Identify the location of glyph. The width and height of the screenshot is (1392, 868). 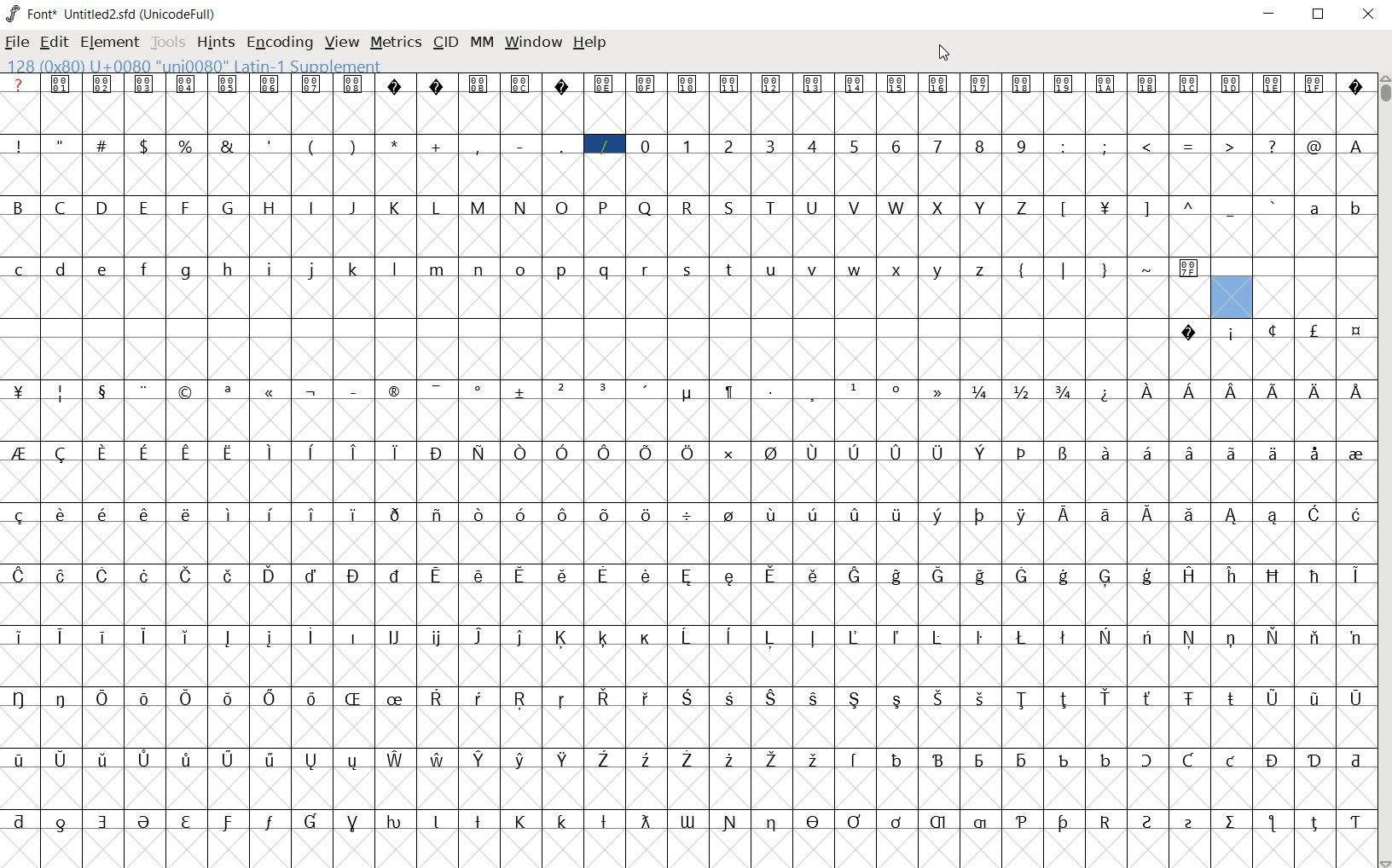
(771, 454).